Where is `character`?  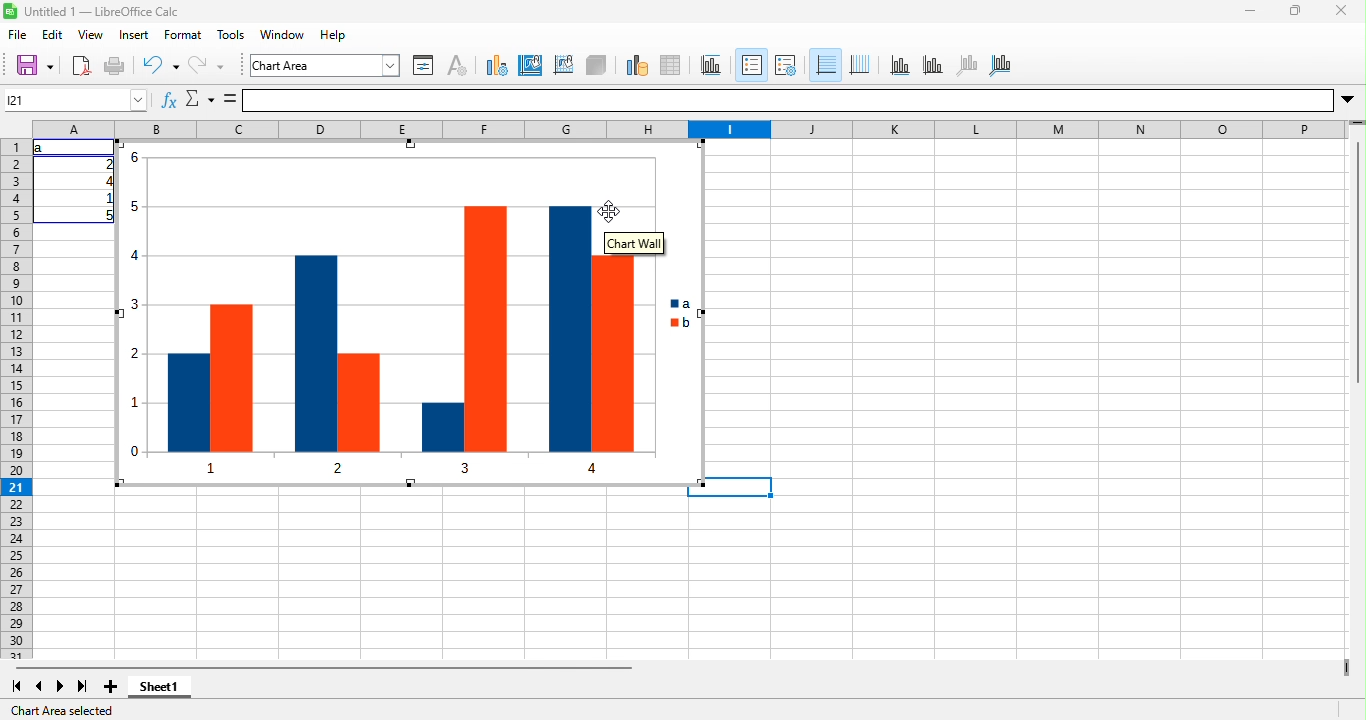
character is located at coordinates (457, 67).